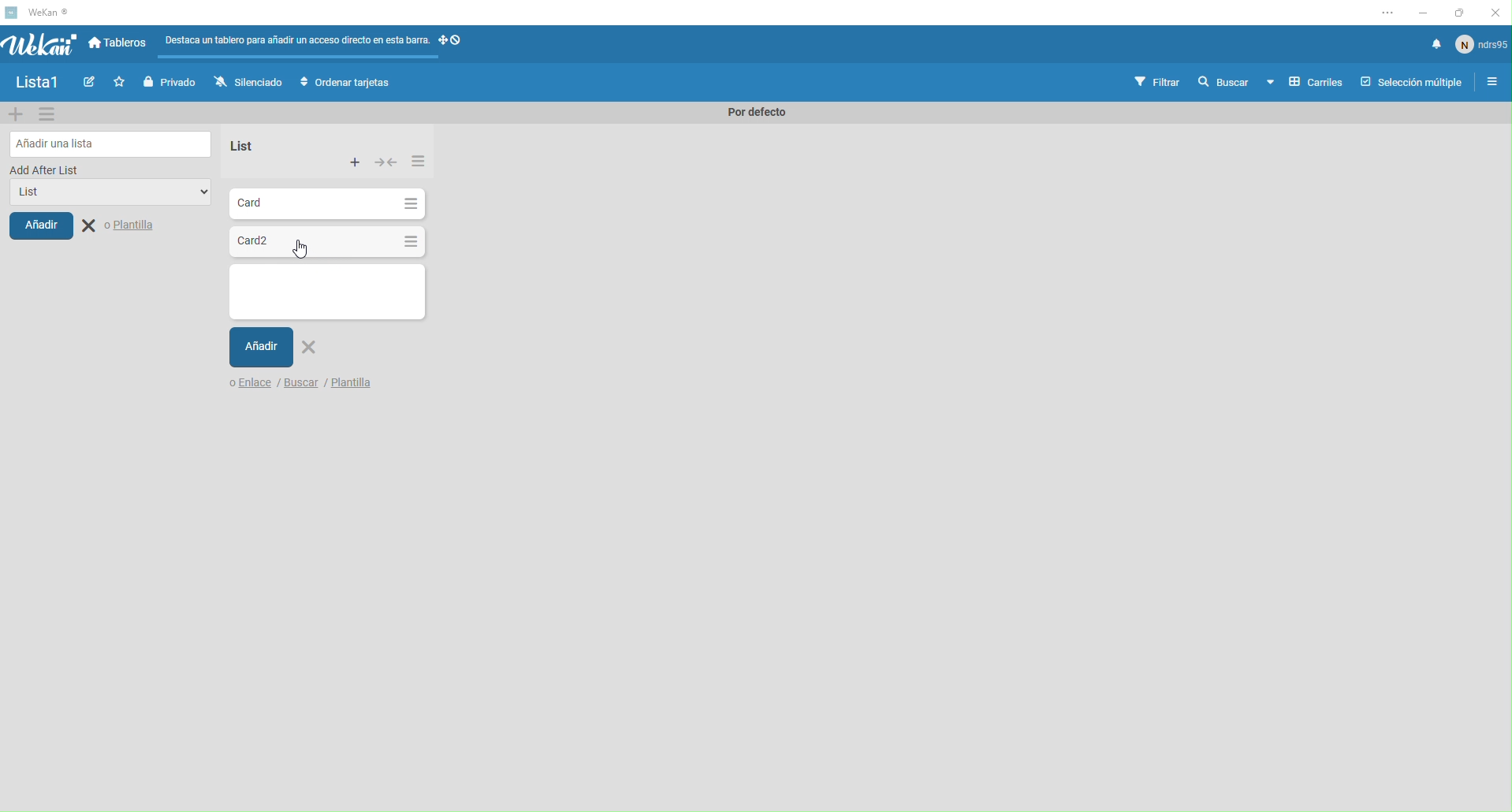  Describe the element at coordinates (280, 348) in the screenshot. I see `Anadir` at that location.